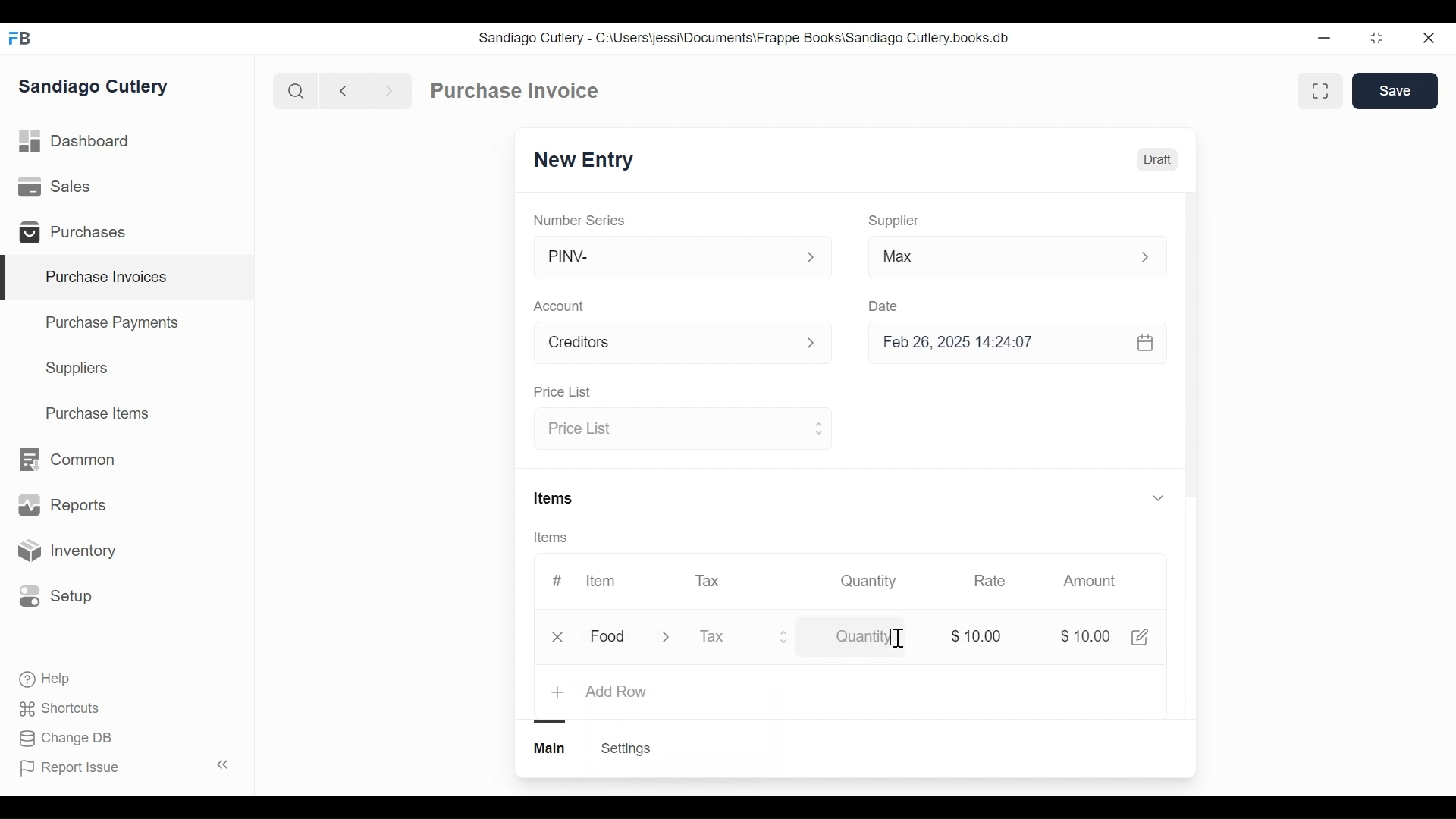  I want to click on Edit, so click(1139, 636).